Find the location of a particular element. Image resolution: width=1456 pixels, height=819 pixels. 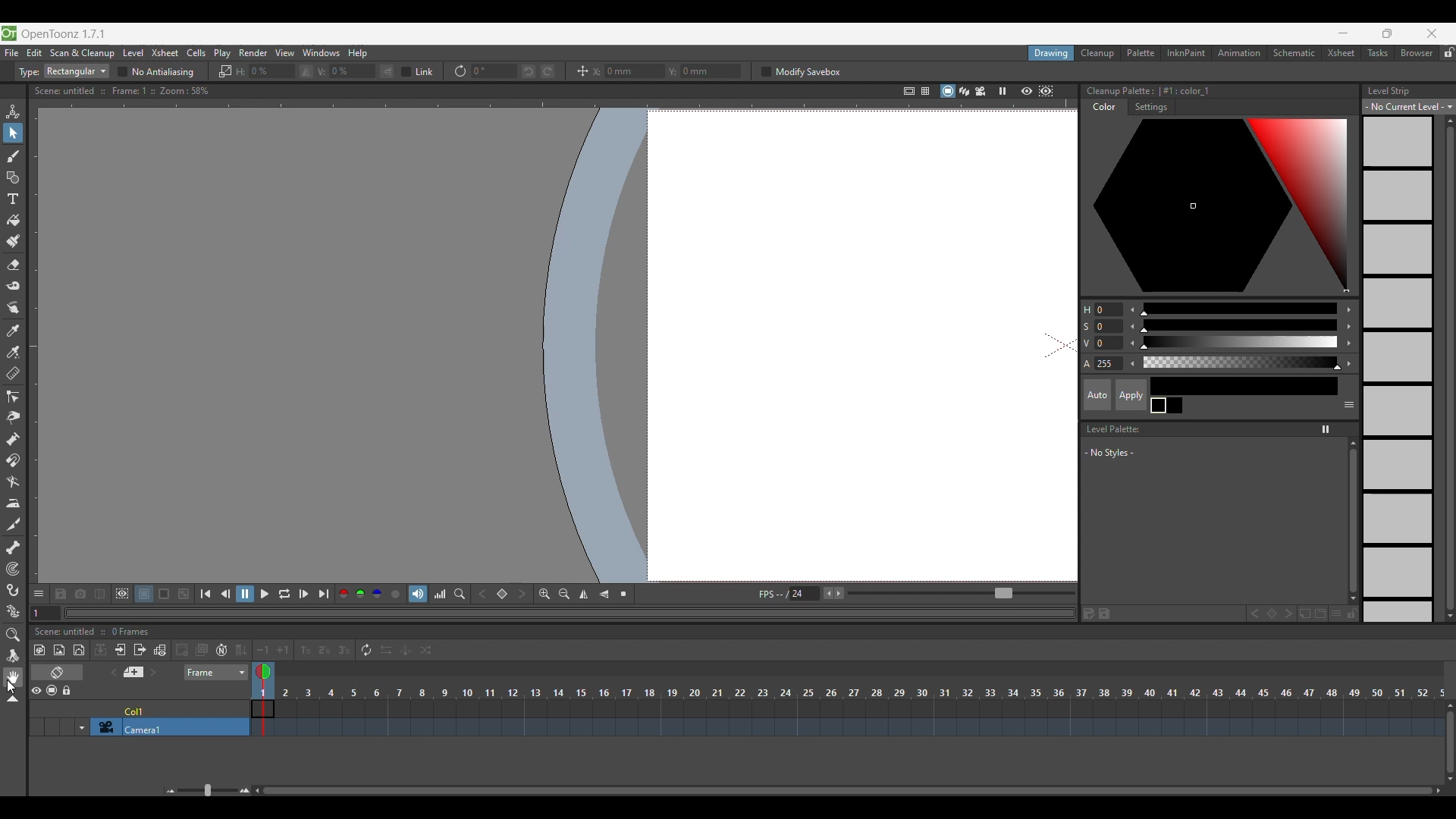

Fill in empty cells is located at coordinates (241, 650).